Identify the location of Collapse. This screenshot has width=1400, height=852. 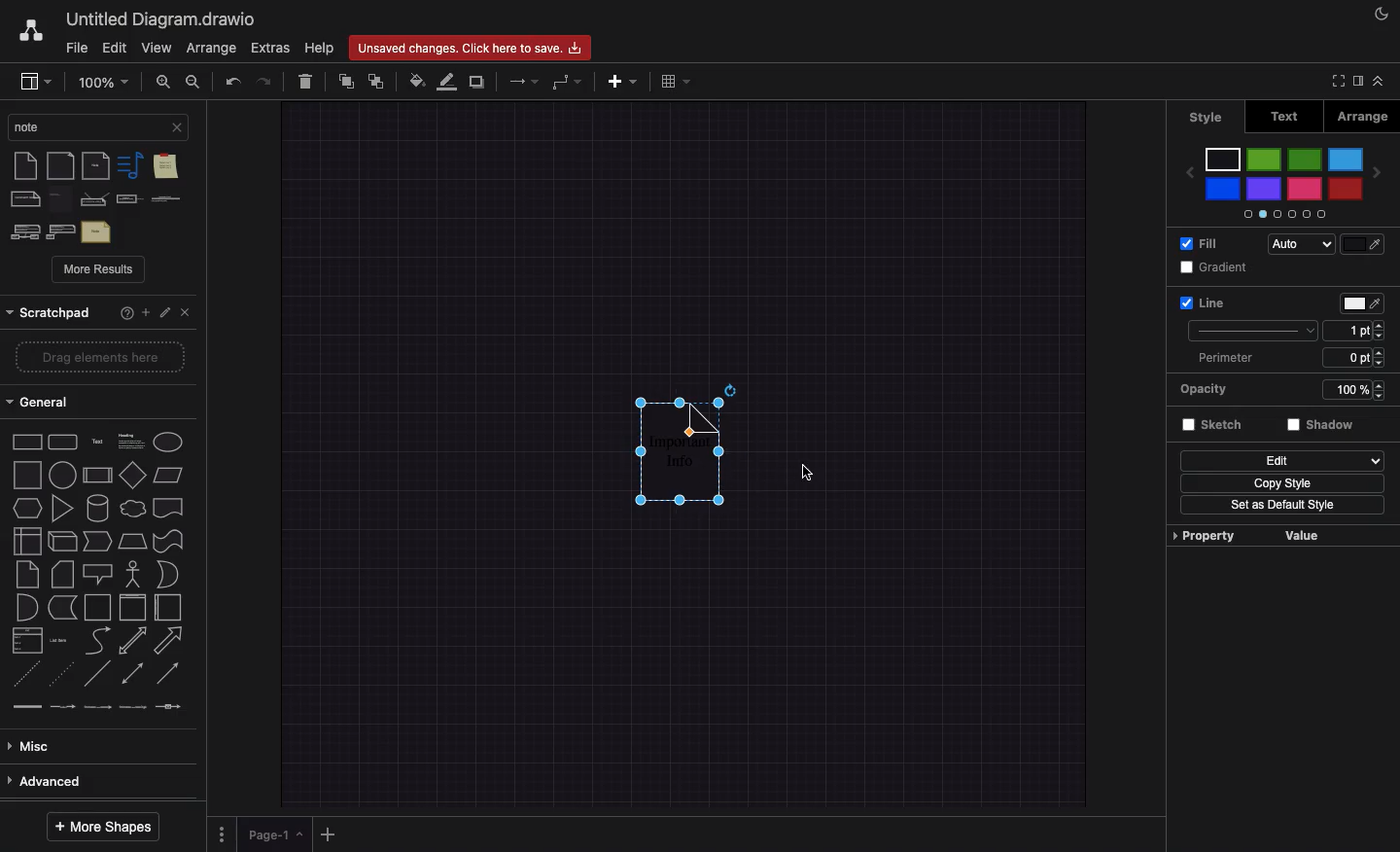
(1384, 81).